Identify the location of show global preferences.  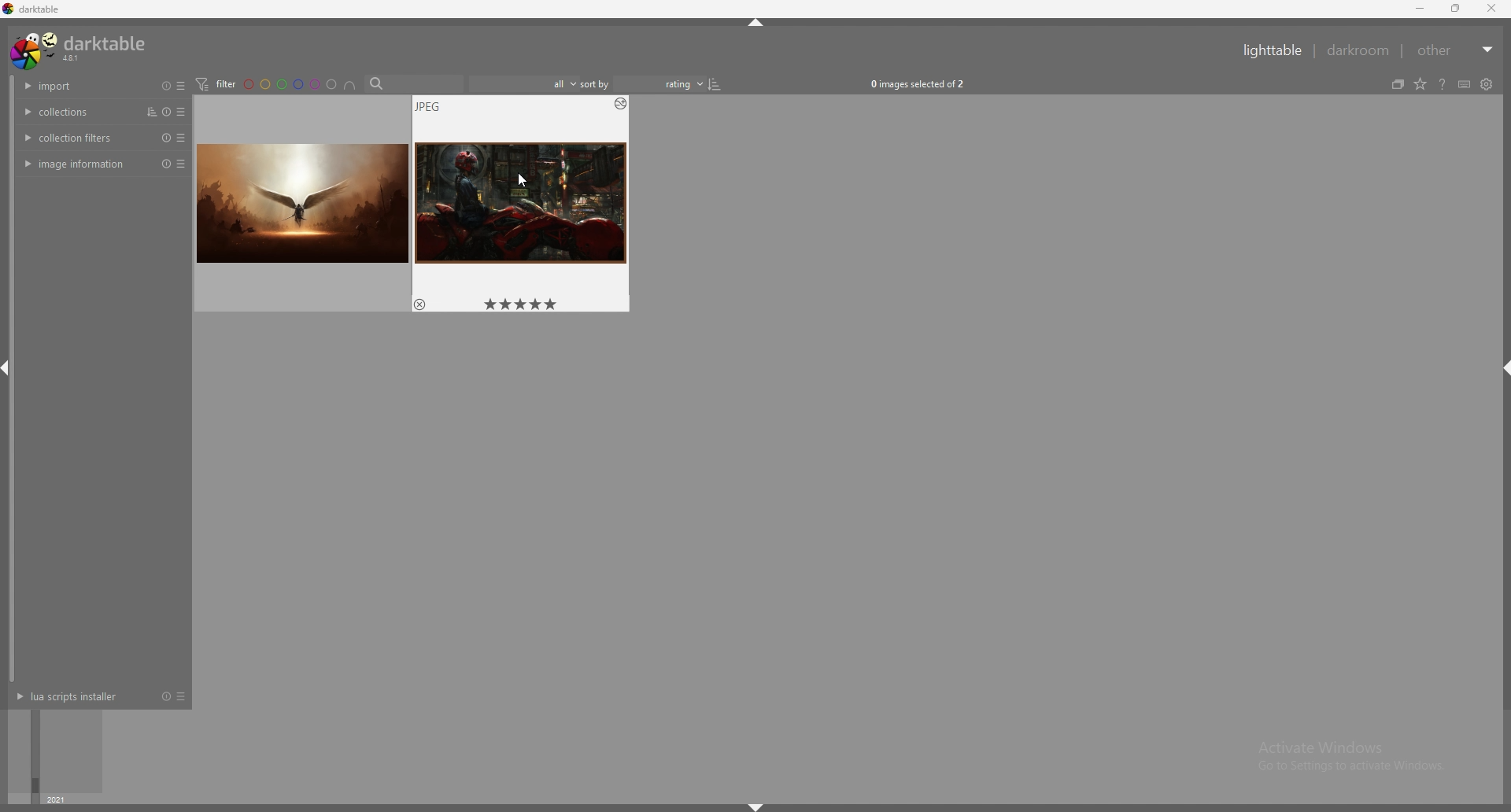
(1486, 83).